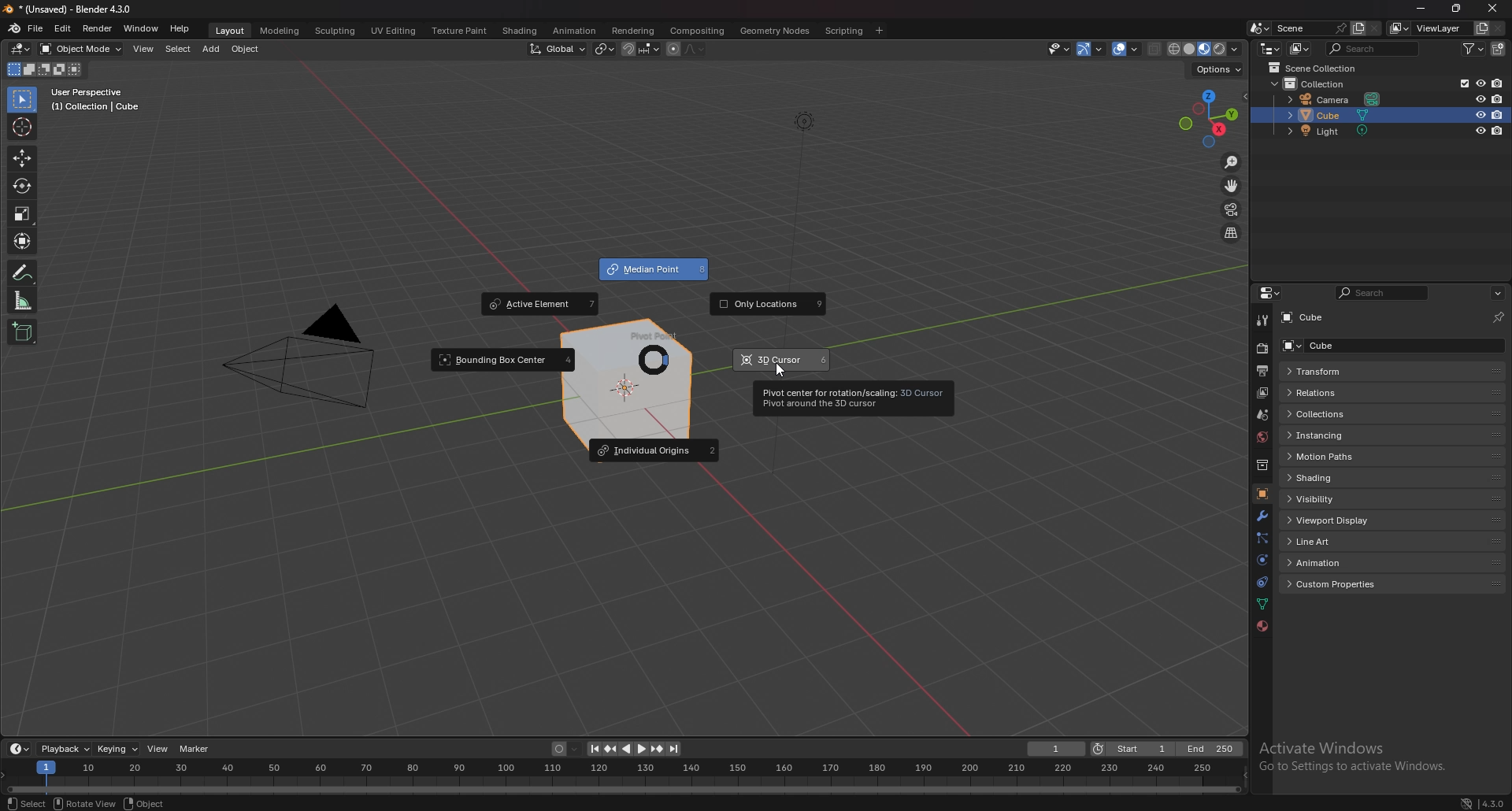 This screenshot has width=1512, height=811. Describe the element at coordinates (1495, 6) in the screenshot. I see `close` at that location.